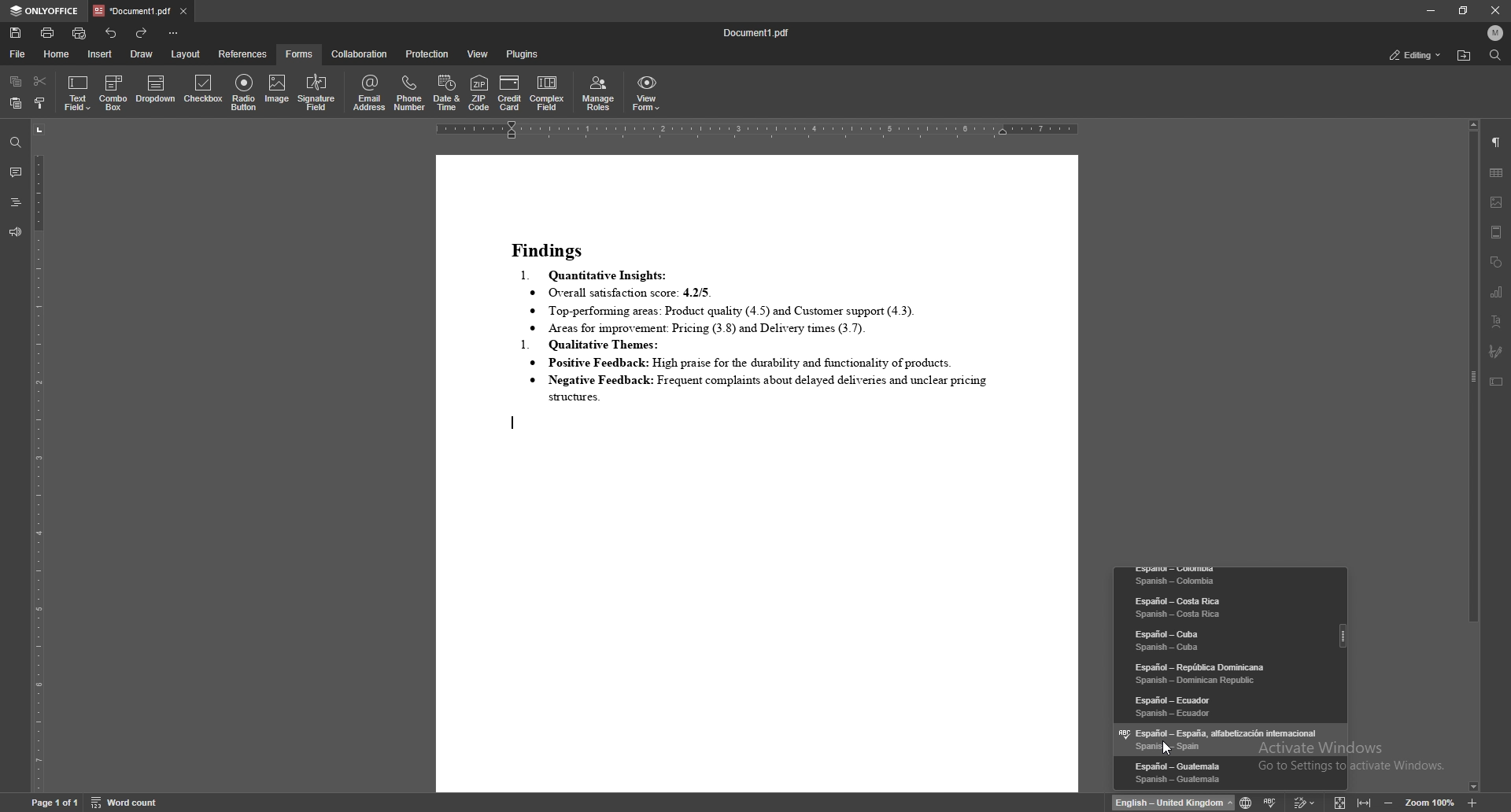 Image resolution: width=1511 pixels, height=812 pixels. I want to click on headings, so click(15, 202).